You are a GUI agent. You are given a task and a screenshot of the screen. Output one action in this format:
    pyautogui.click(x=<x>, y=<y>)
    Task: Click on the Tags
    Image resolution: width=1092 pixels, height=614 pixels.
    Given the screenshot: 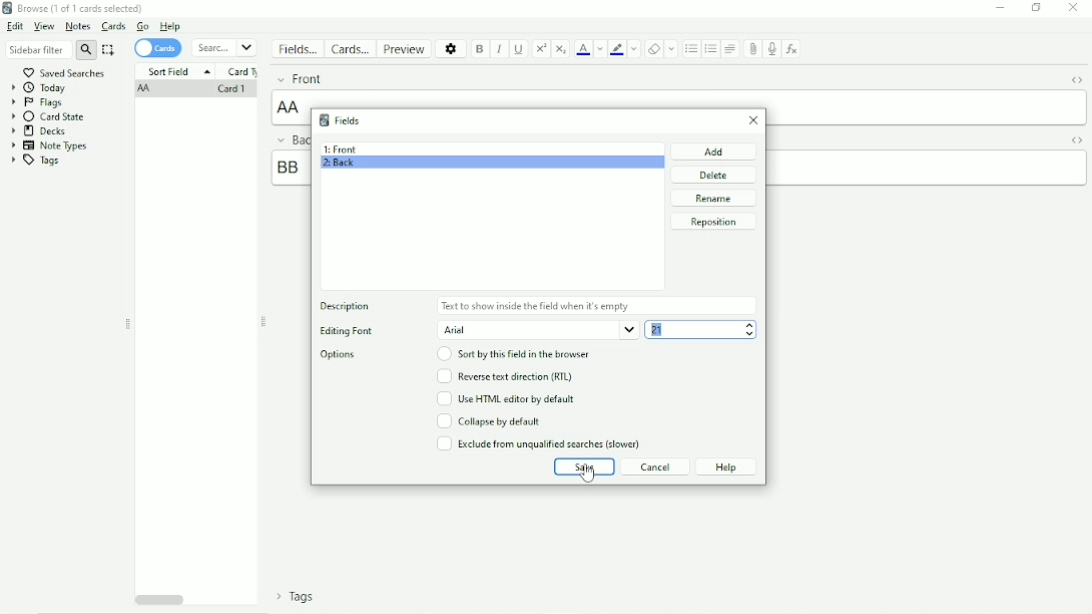 What is the action you would take?
    pyautogui.click(x=35, y=161)
    